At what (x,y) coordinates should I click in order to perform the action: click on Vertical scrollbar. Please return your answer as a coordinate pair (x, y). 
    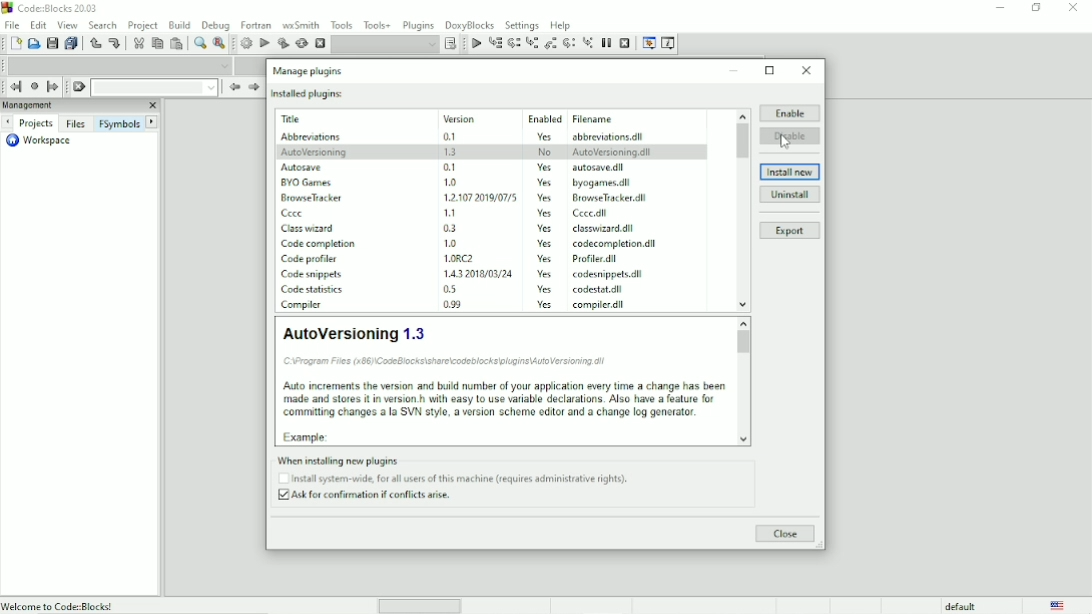
    Looking at the image, I should click on (745, 384).